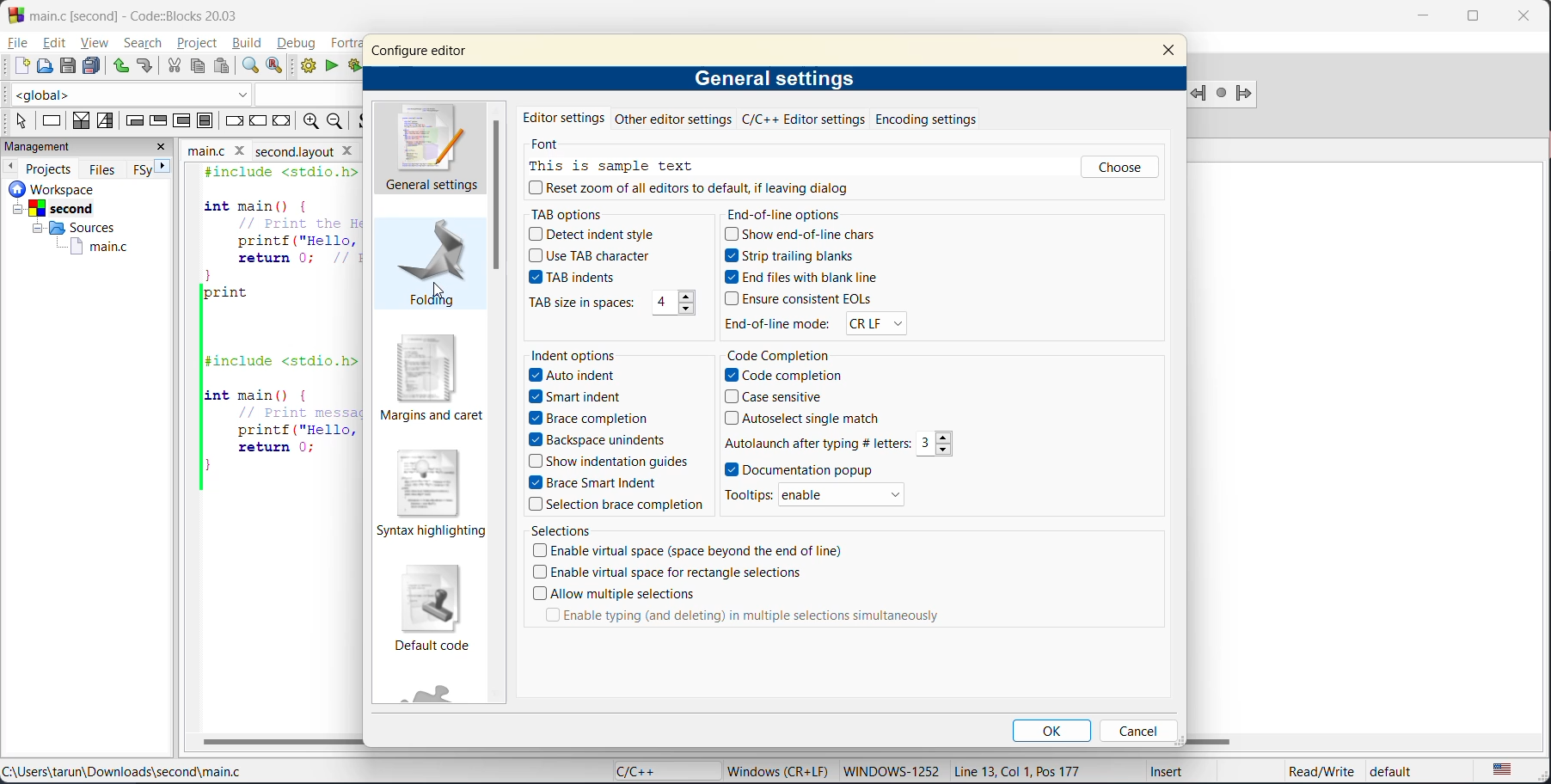  I want to click on choose, so click(1119, 170).